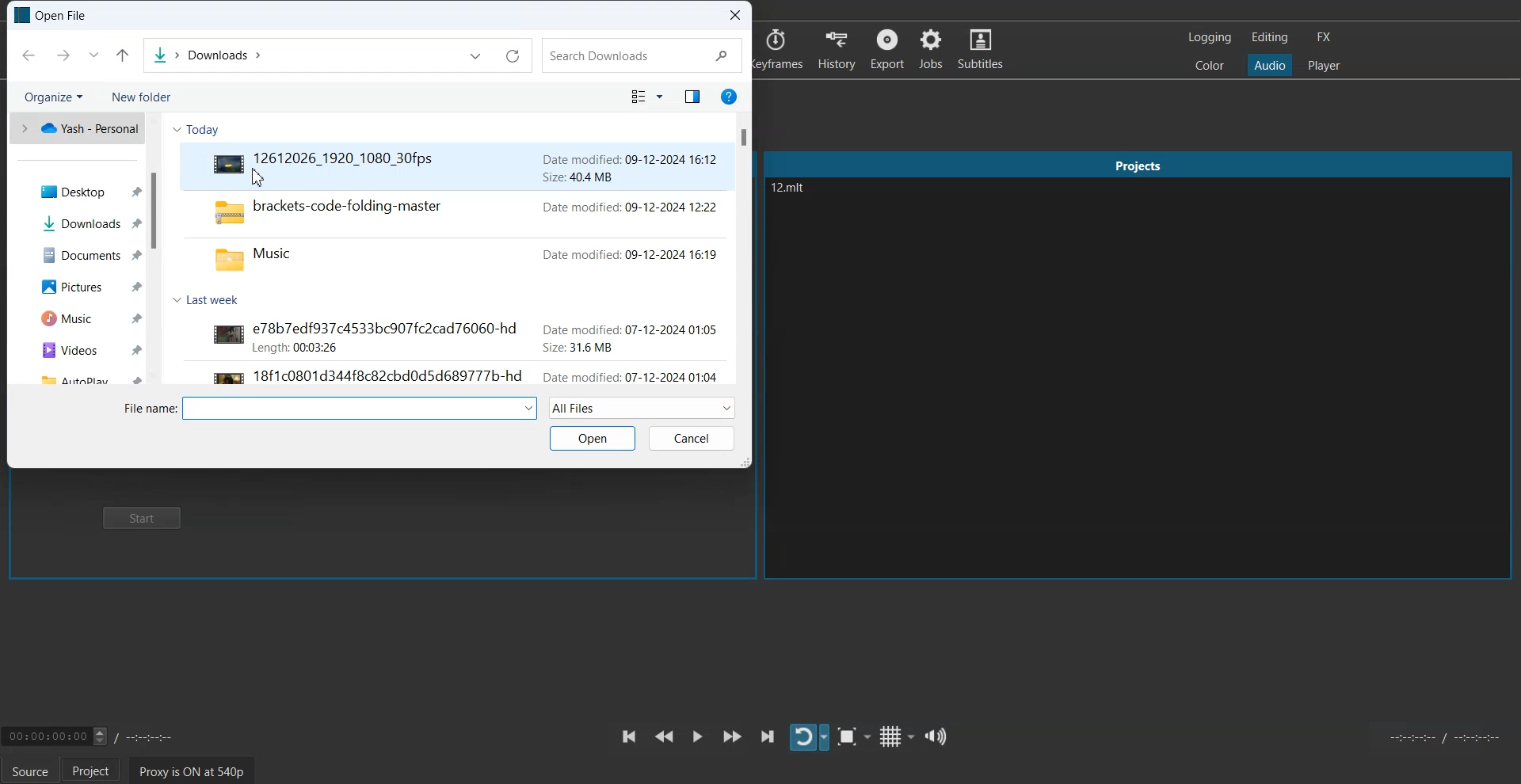  Describe the element at coordinates (193, 771) in the screenshot. I see `Proxy is ON at 540p` at that location.